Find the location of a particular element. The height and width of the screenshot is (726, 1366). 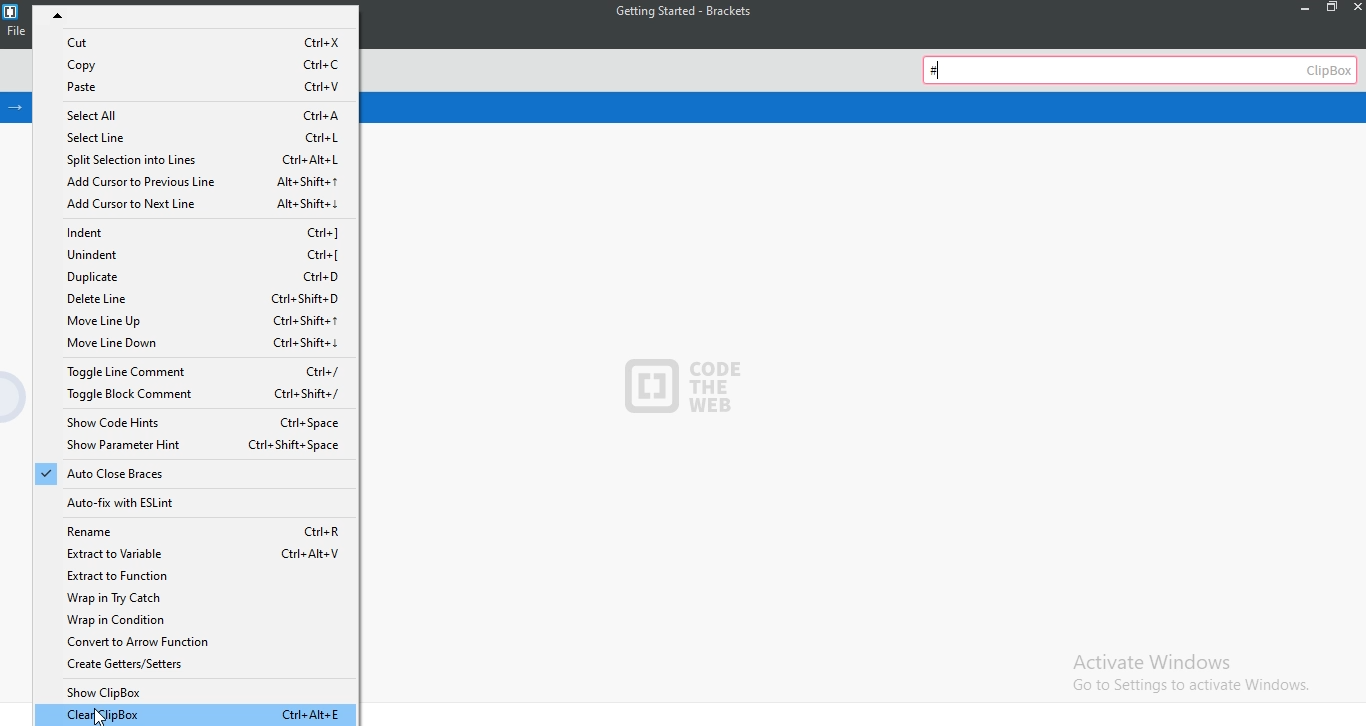

Show Clipbox is located at coordinates (196, 693).